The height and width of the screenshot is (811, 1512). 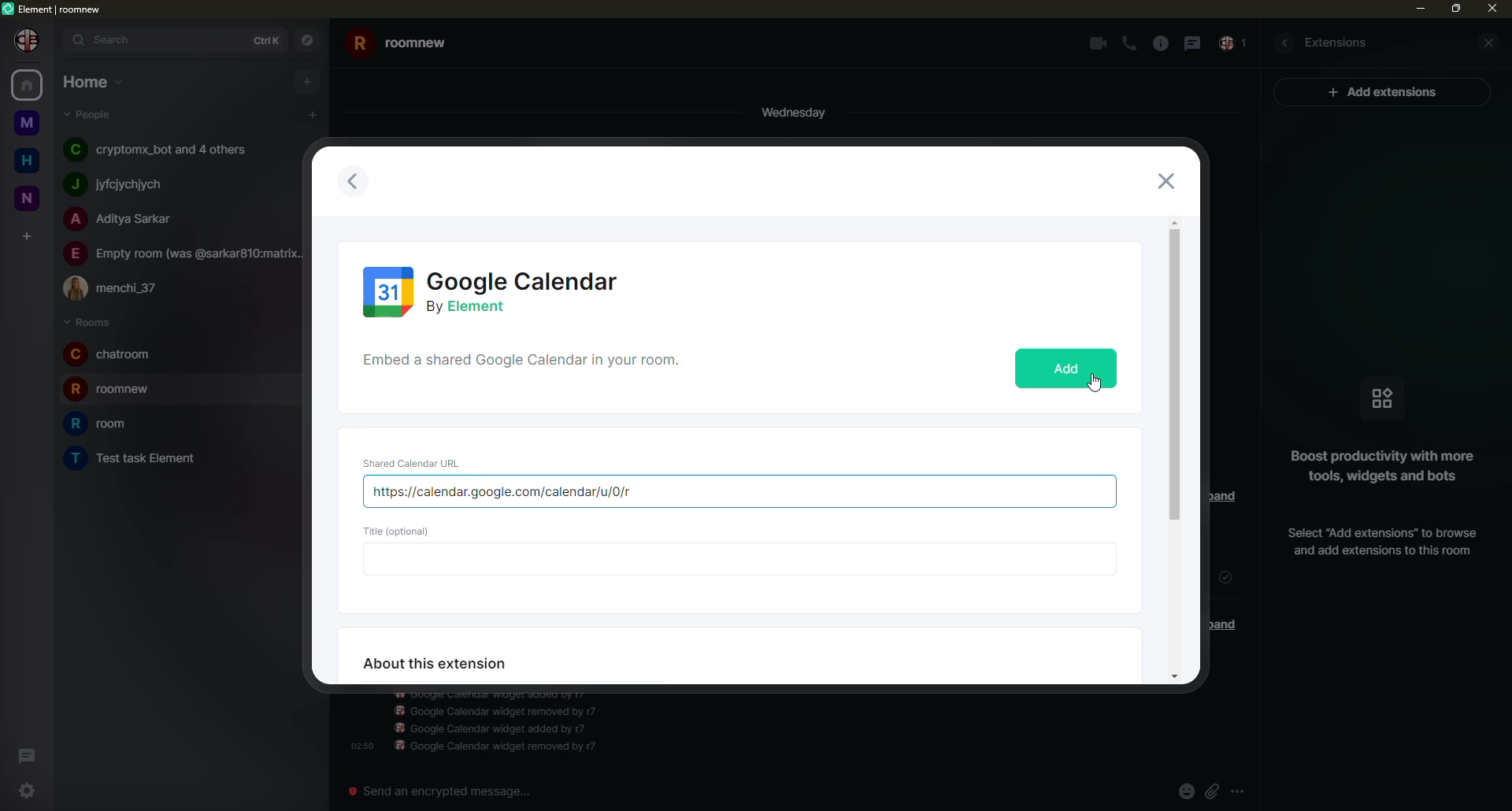 What do you see at coordinates (1492, 42) in the screenshot?
I see `close` at bounding box center [1492, 42].